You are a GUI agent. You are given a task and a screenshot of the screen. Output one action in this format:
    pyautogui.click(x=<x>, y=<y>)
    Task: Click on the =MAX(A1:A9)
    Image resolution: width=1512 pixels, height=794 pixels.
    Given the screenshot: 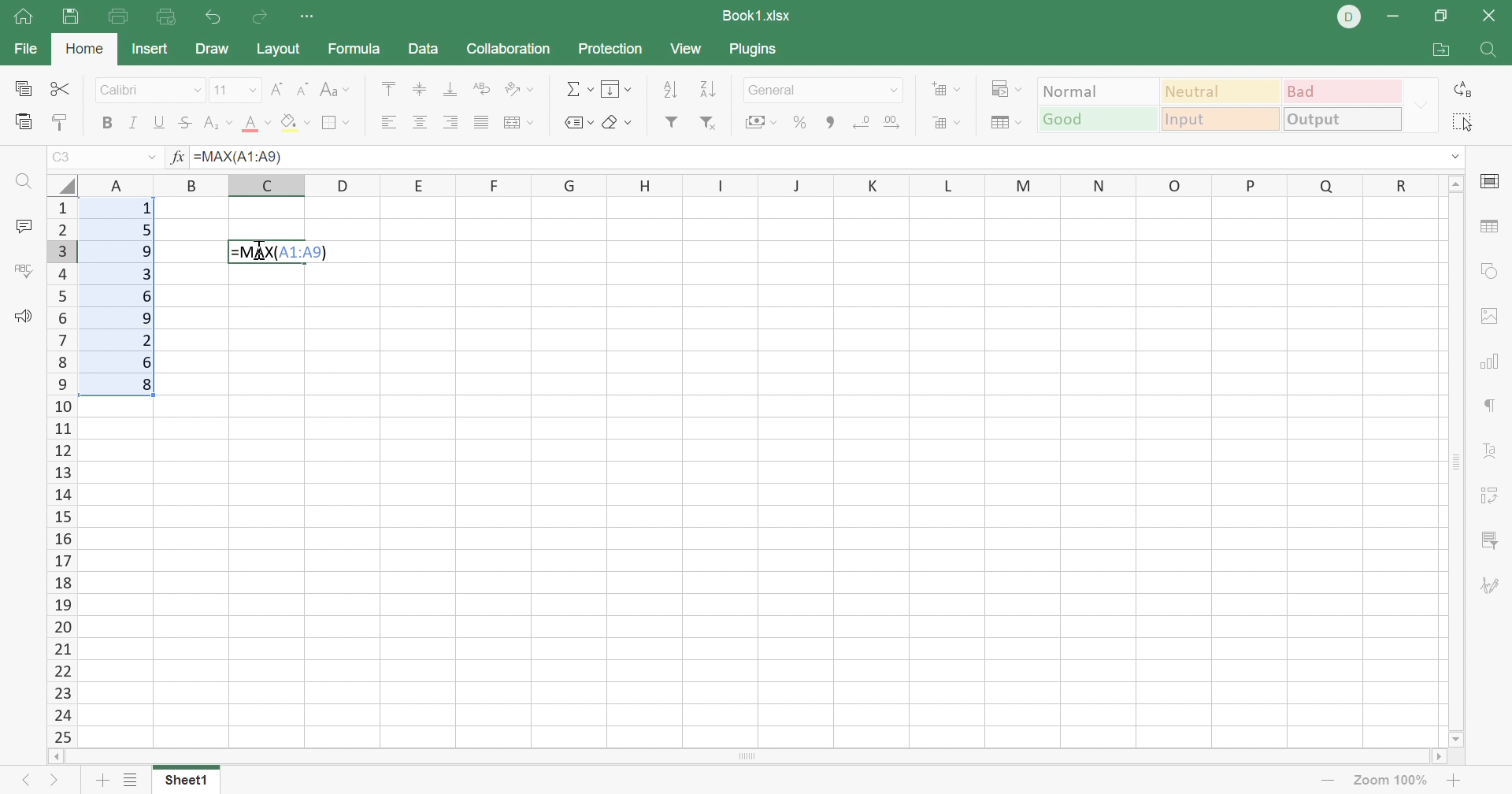 What is the action you would take?
    pyautogui.click(x=281, y=252)
    